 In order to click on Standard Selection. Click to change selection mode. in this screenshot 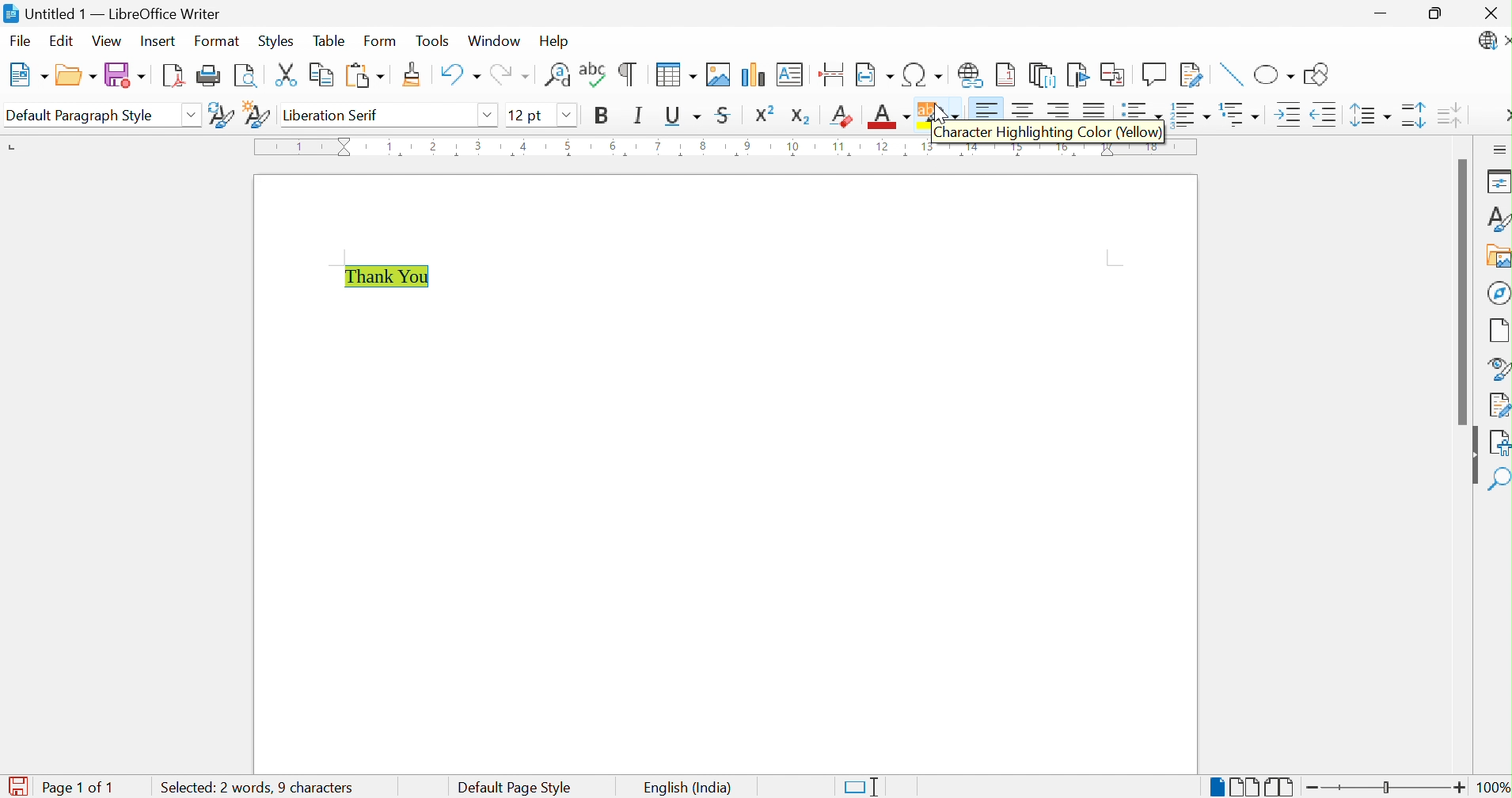, I will do `click(862, 785)`.